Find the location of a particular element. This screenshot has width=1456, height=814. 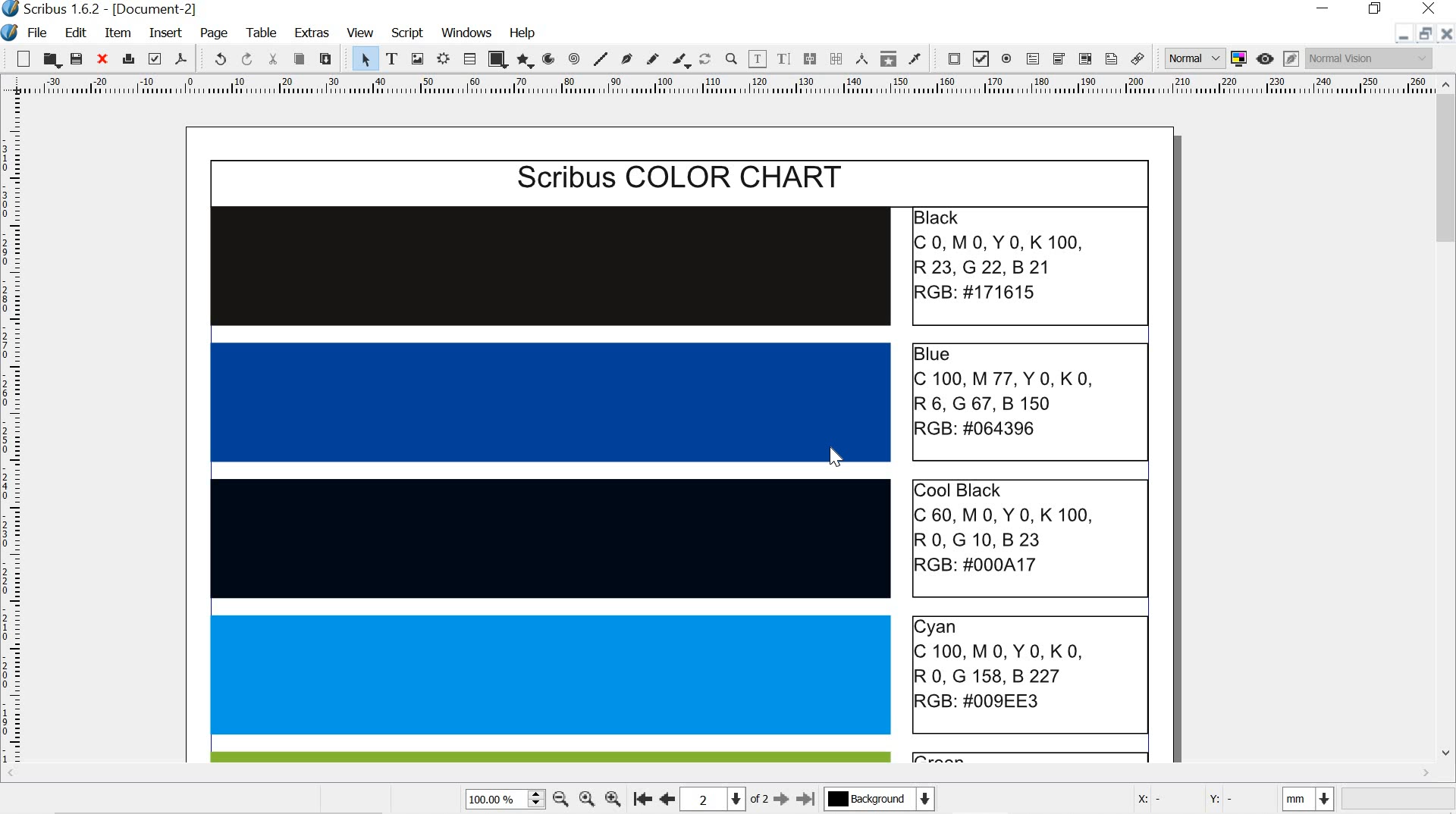

line is located at coordinates (600, 58).